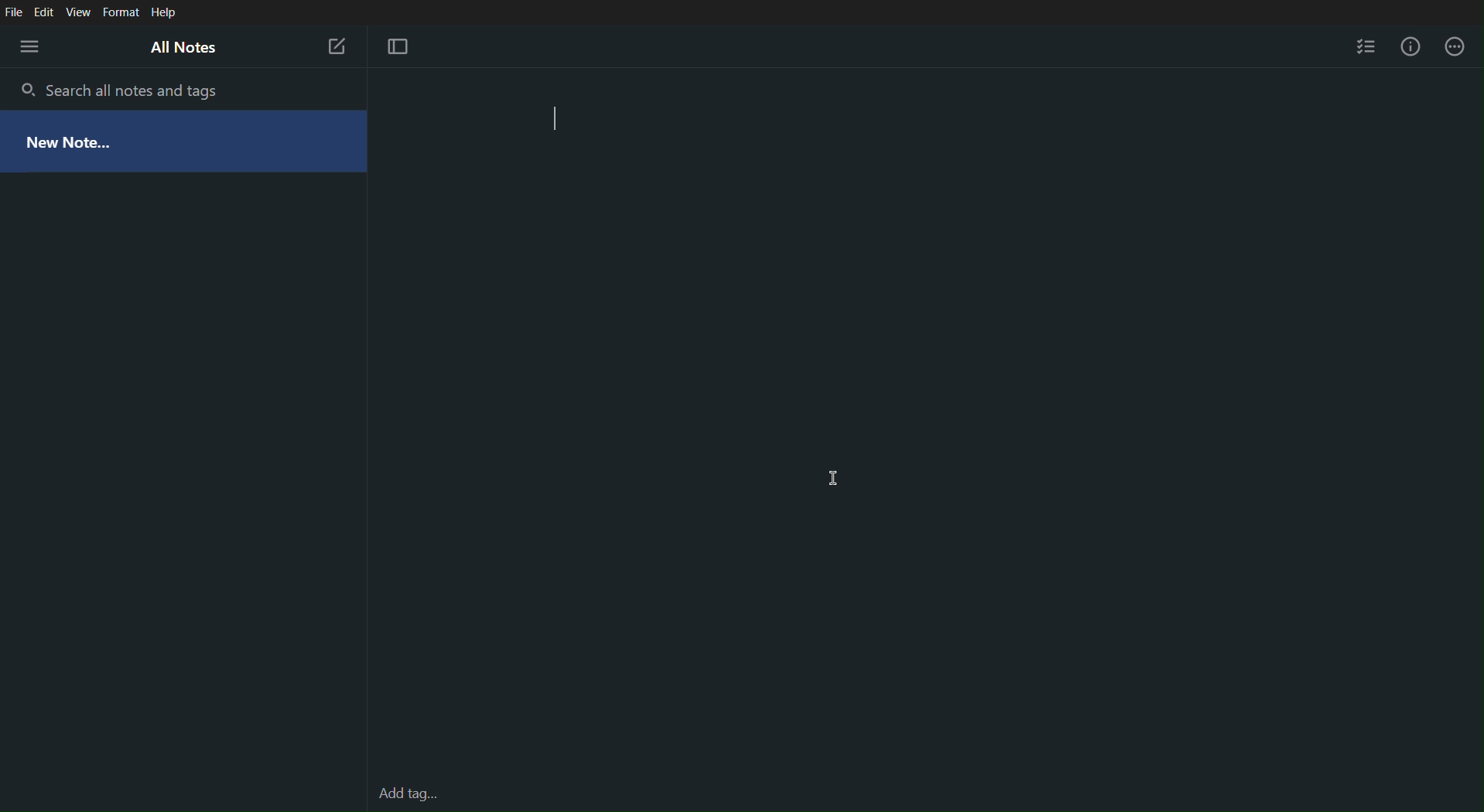  I want to click on New Note, so click(337, 46).